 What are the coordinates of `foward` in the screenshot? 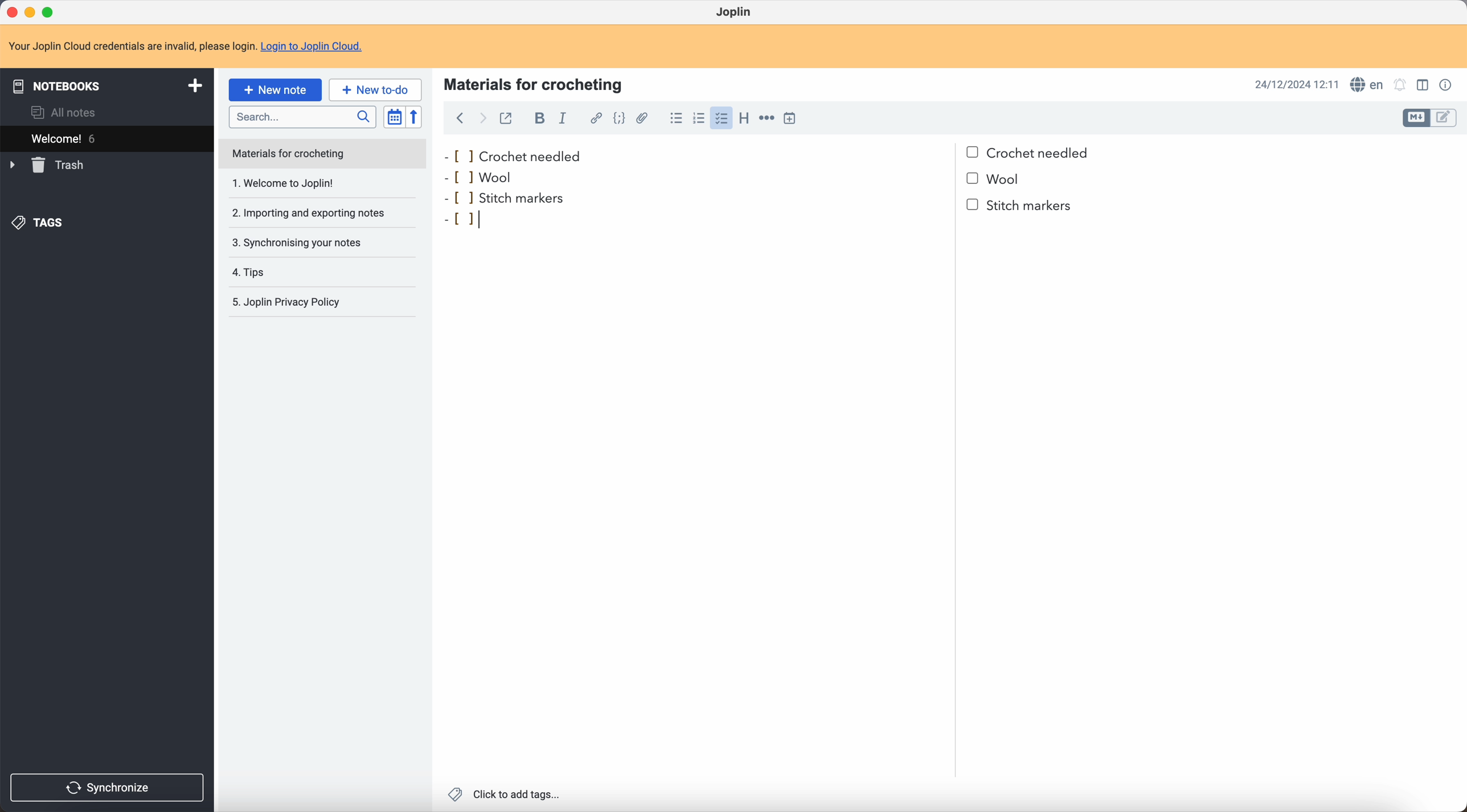 It's located at (481, 120).